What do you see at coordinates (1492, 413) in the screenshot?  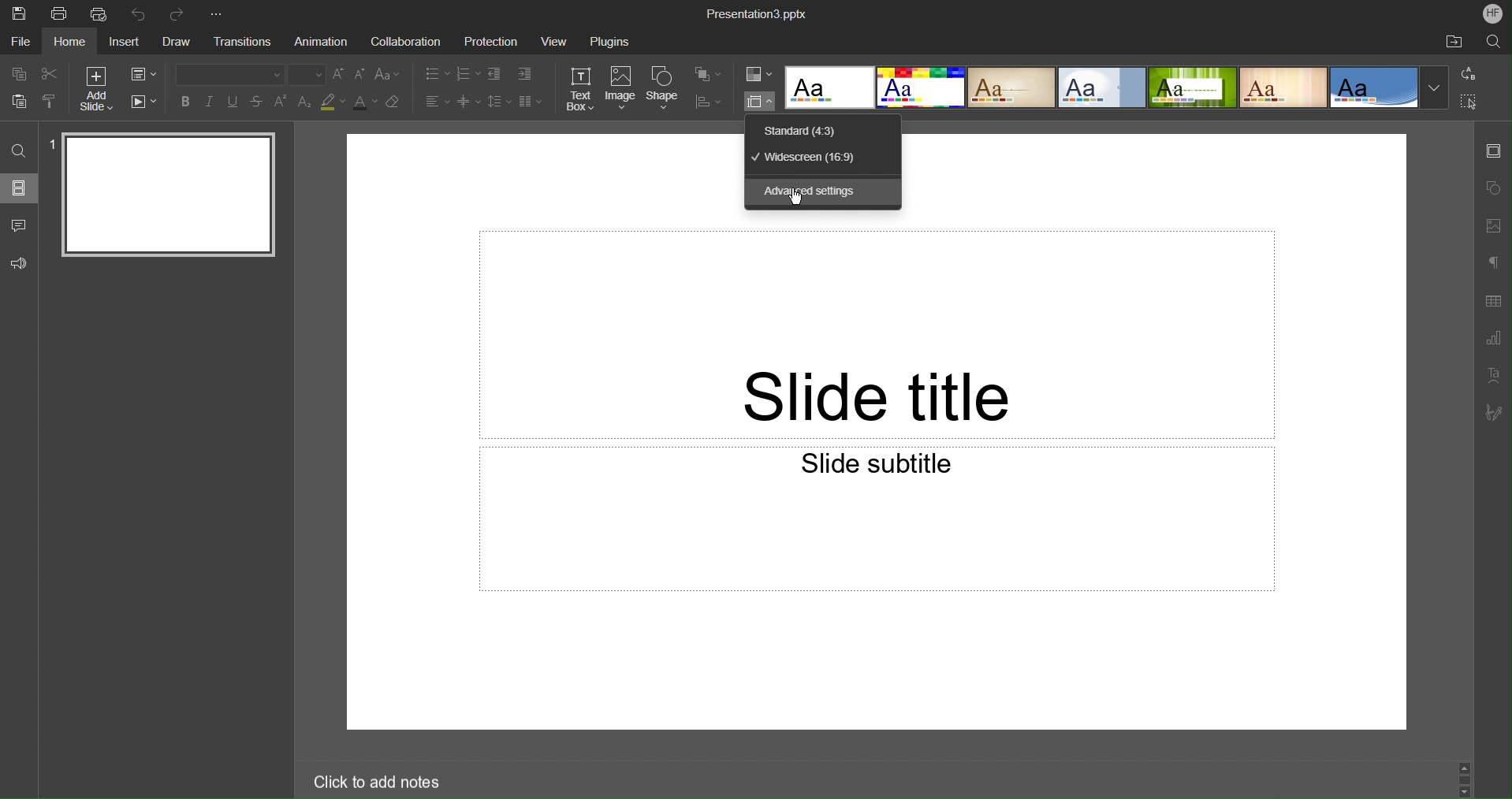 I see `Signature` at bounding box center [1492, 413].